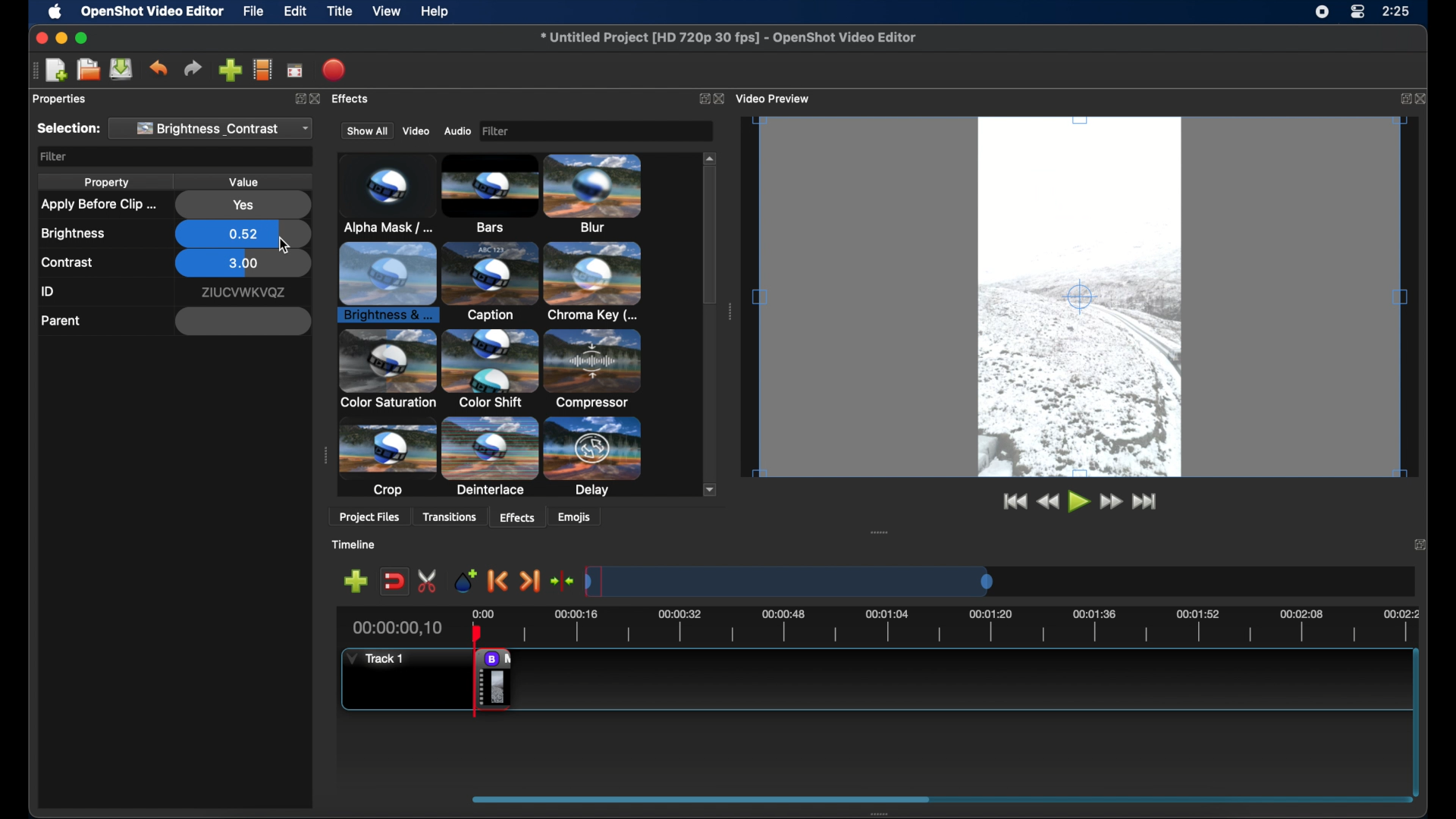 Image resolution: width=1456 pixels, height=819 pixels. I want to click on empty field, so click(243, 322).